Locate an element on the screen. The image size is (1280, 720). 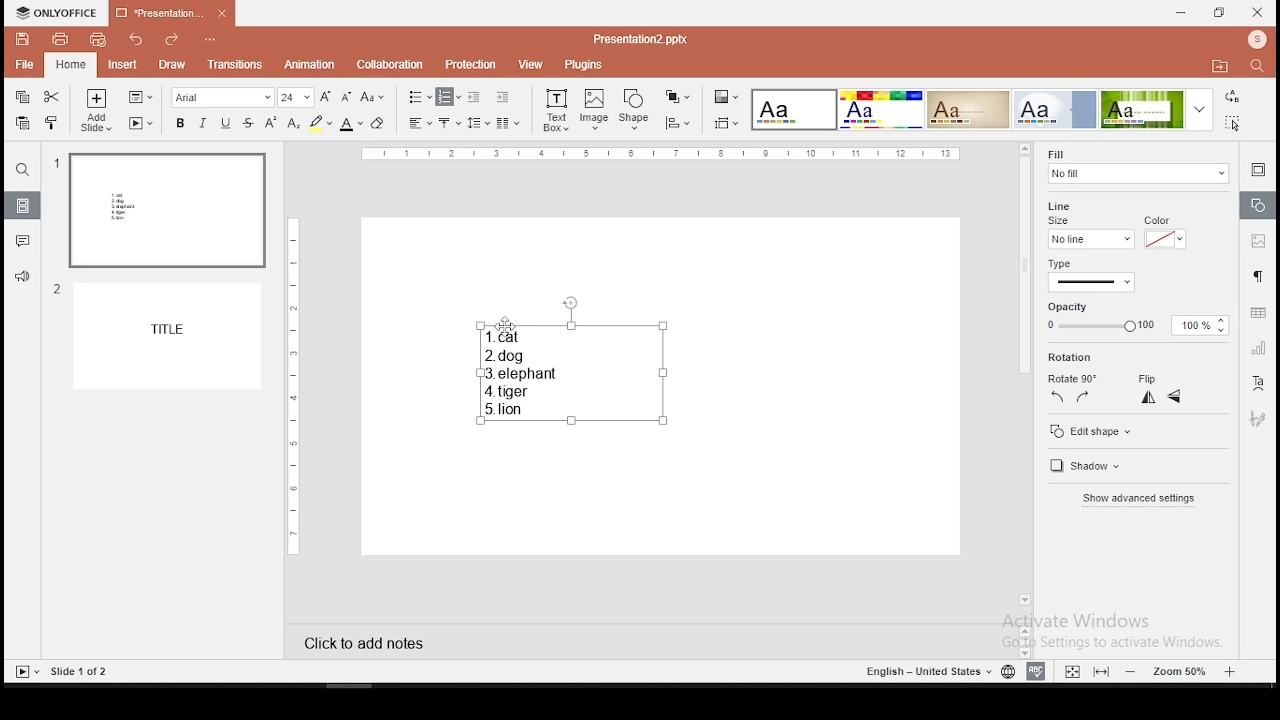
theme is located at coordinates (881, 110).